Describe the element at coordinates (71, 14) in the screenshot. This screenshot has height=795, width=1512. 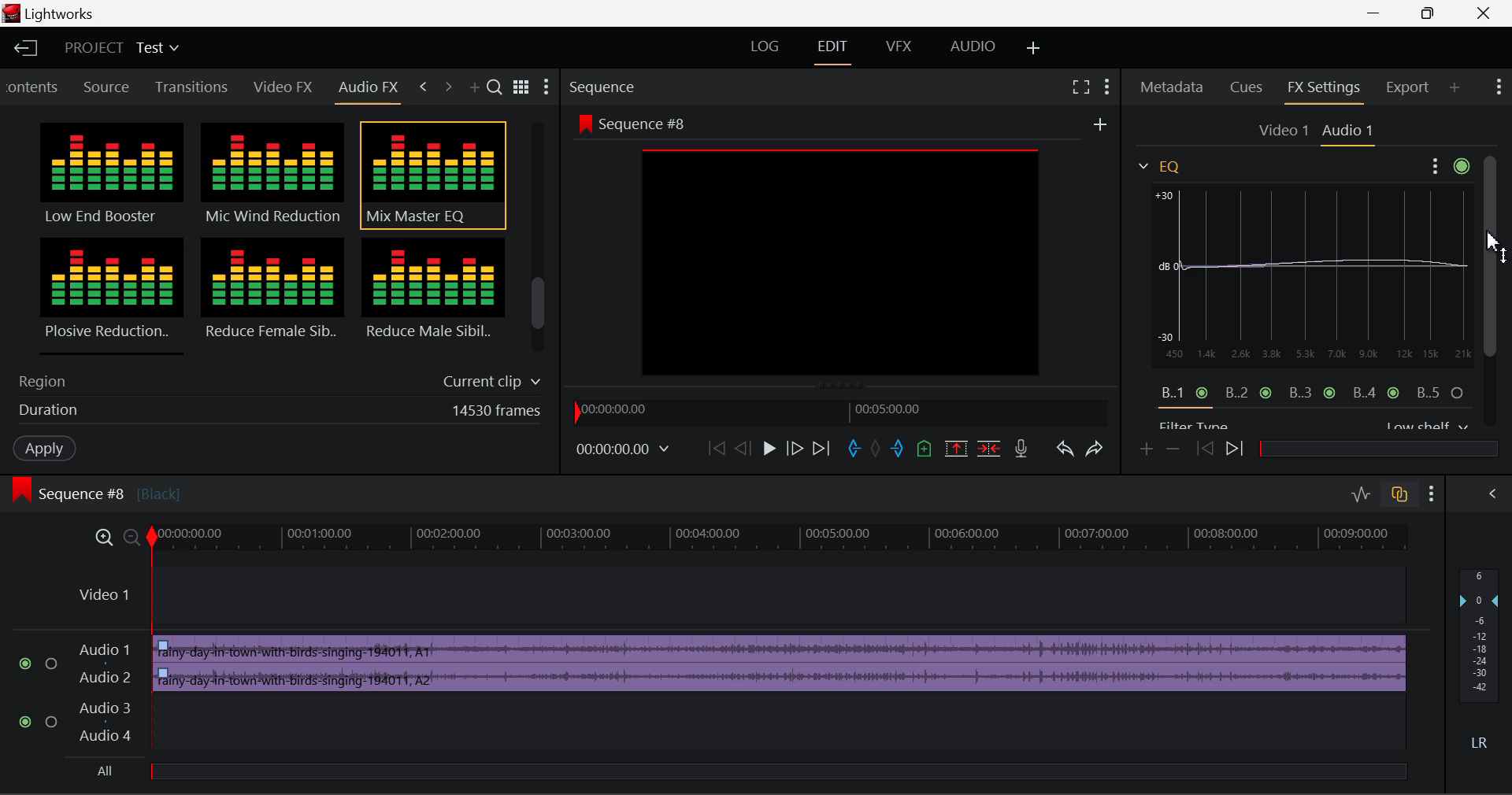
I see `Lightworks` at that location.